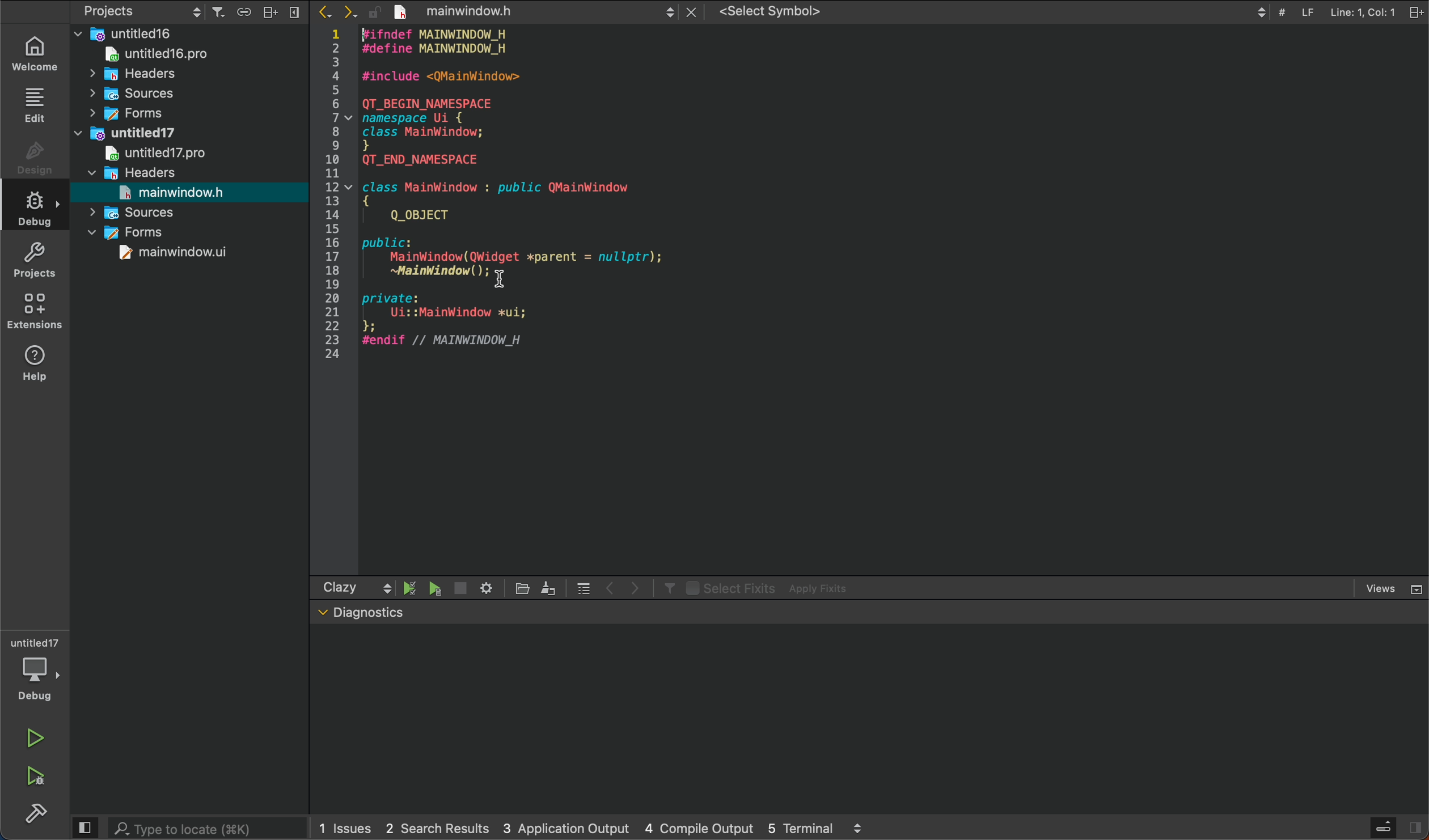 This screenshot has height=840, width=1429. I want to click on DEBUG, so click(39, 211).